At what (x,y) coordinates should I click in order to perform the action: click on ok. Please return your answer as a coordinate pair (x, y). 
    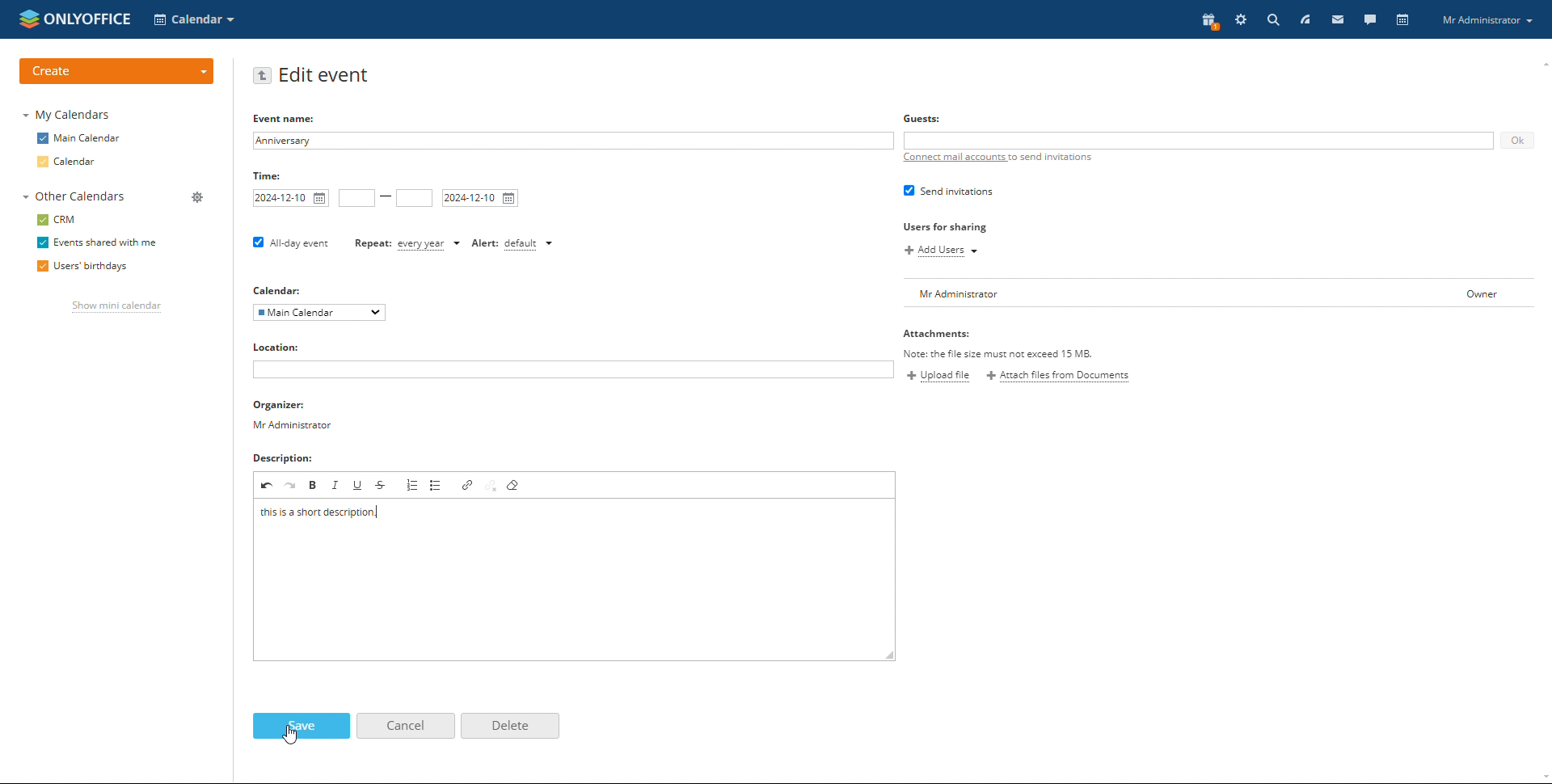
    Looking at the image, I should click on (1517, 140).